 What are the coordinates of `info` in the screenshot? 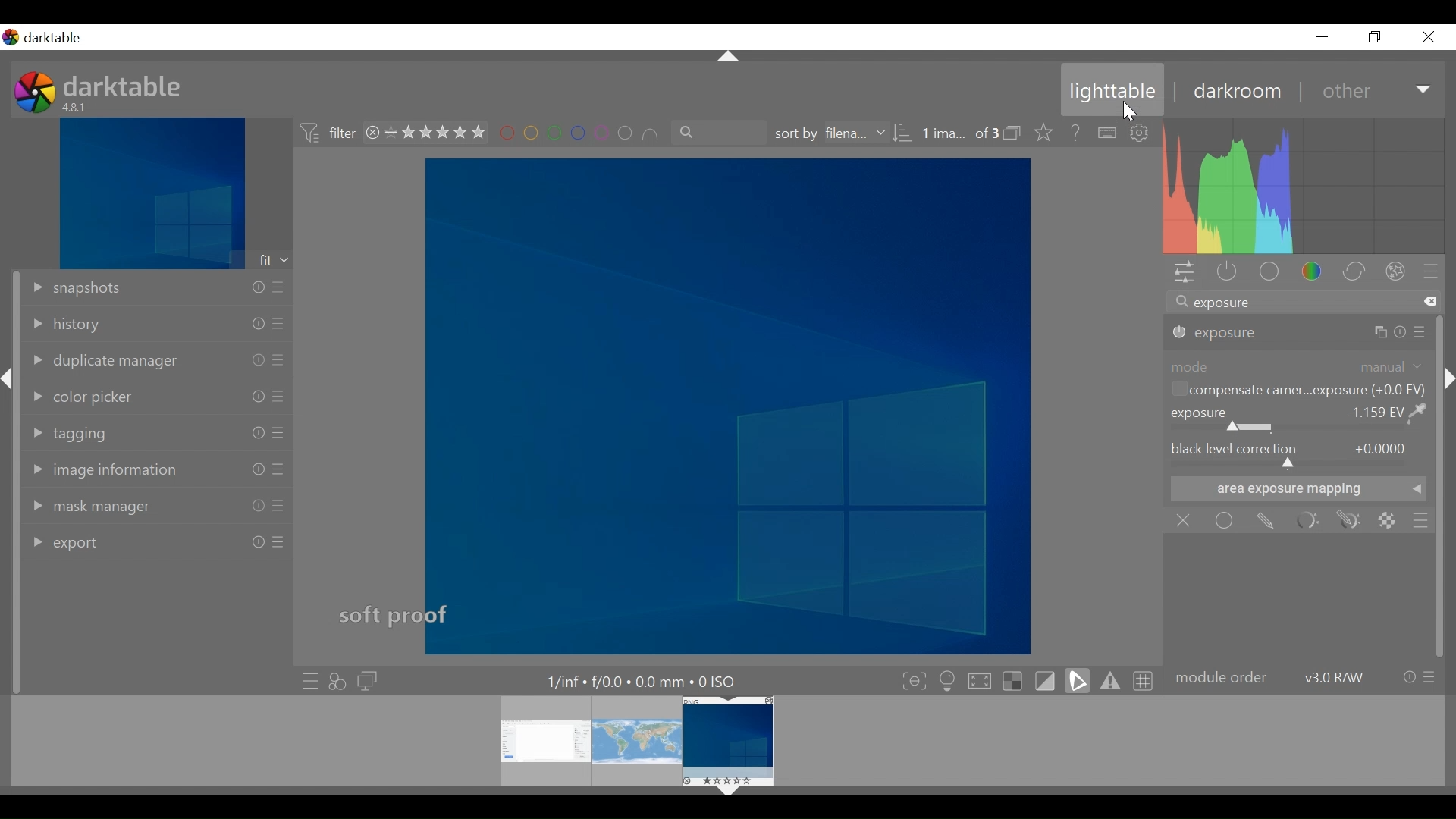 It's located at (257, 360).